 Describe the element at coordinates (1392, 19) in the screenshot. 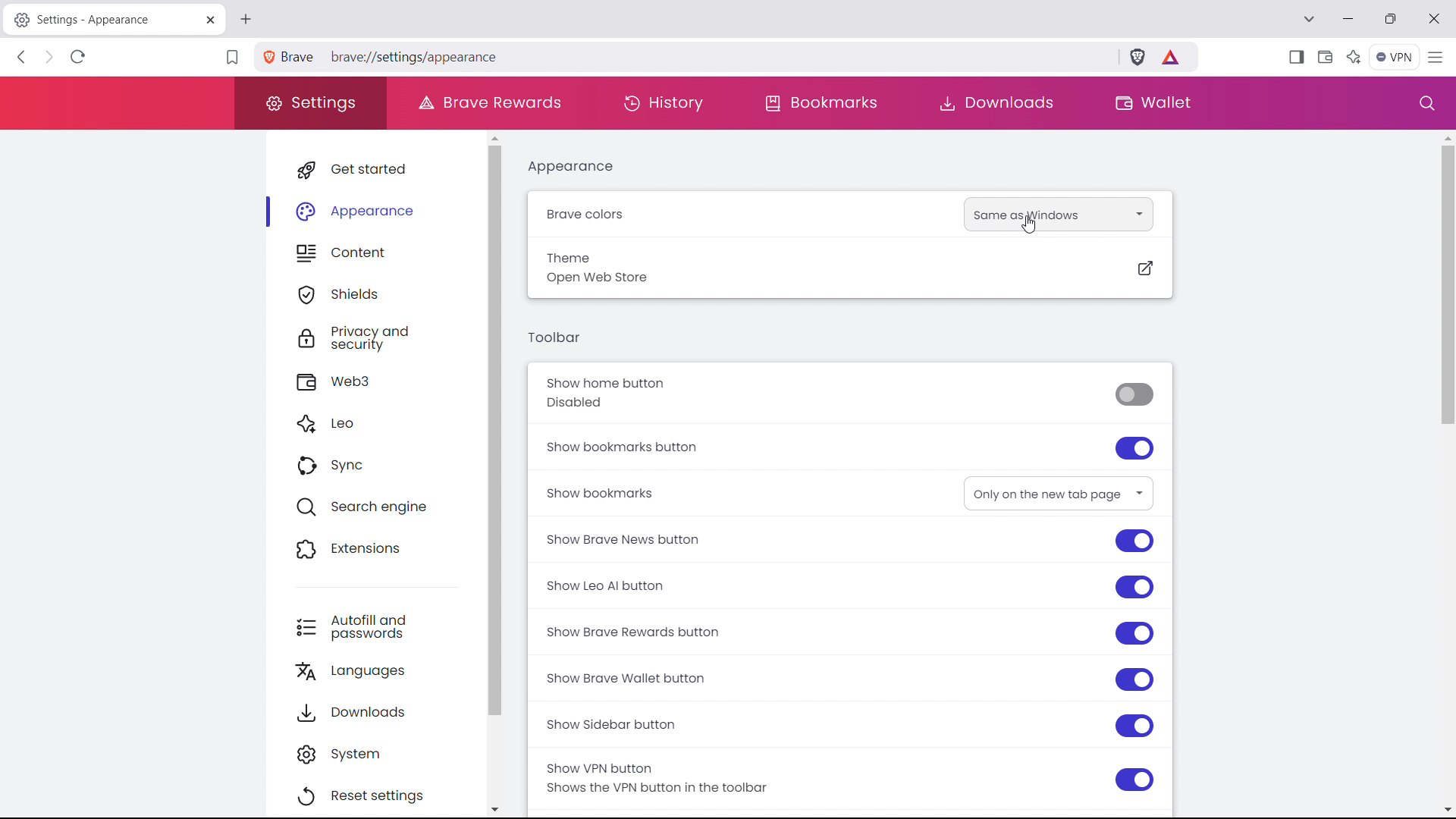

I see `maximize` at that location.